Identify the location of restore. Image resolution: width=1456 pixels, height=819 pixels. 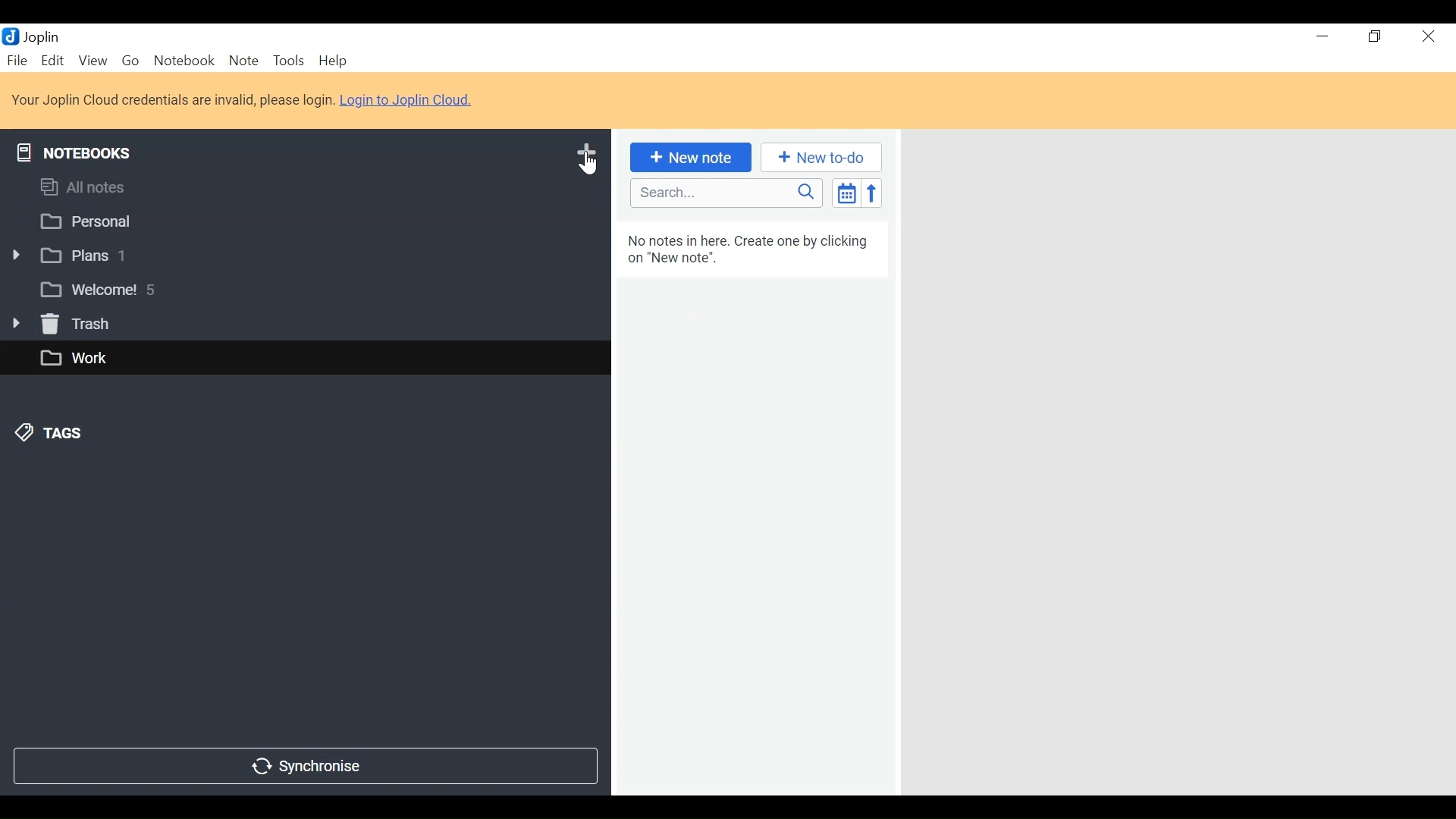
(1375, 37).